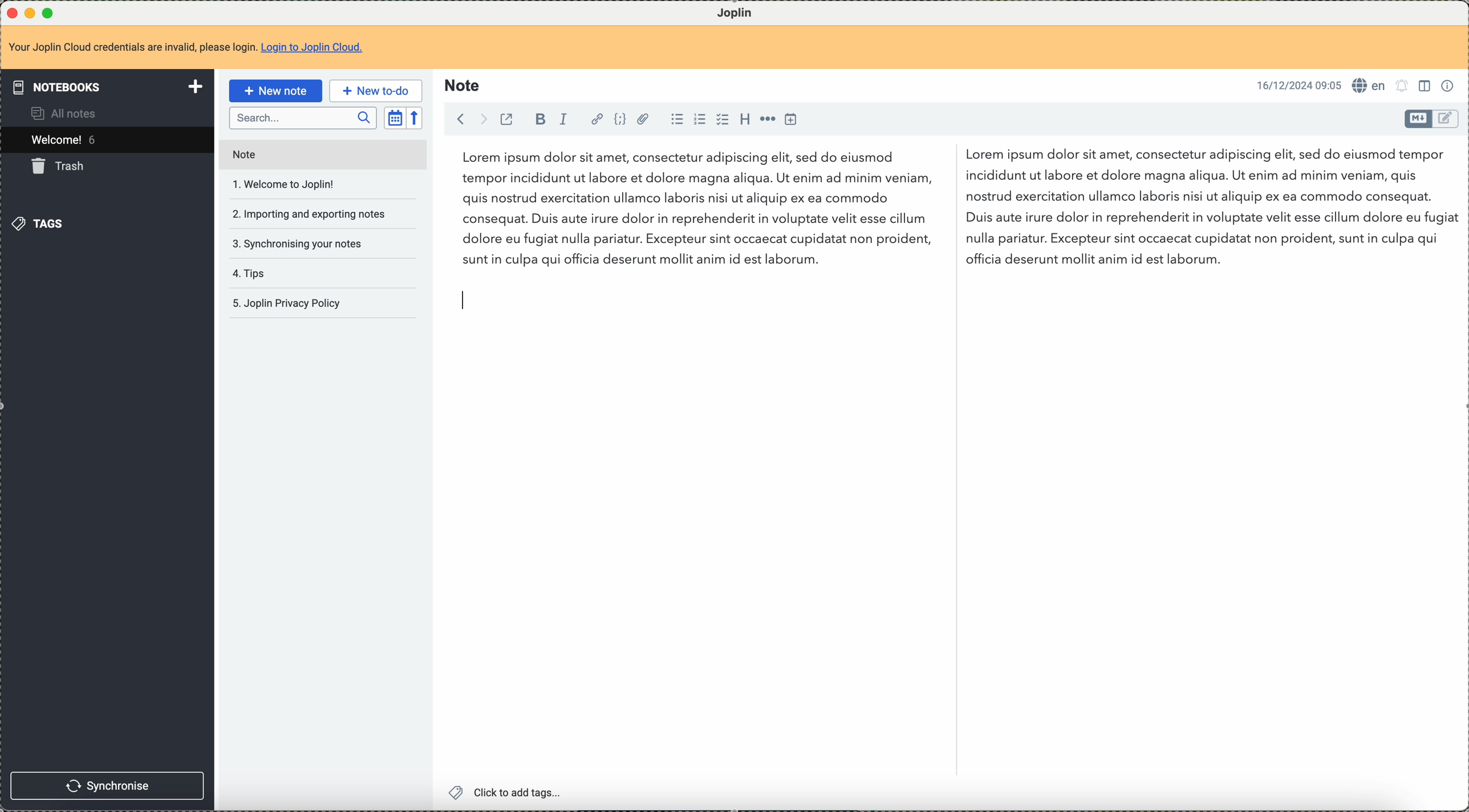 Image resolution: width=1469 pixels, height=812 pixels. Describe the element at coordinates (274, 91) in the screenshot. I see `new note` at that location.